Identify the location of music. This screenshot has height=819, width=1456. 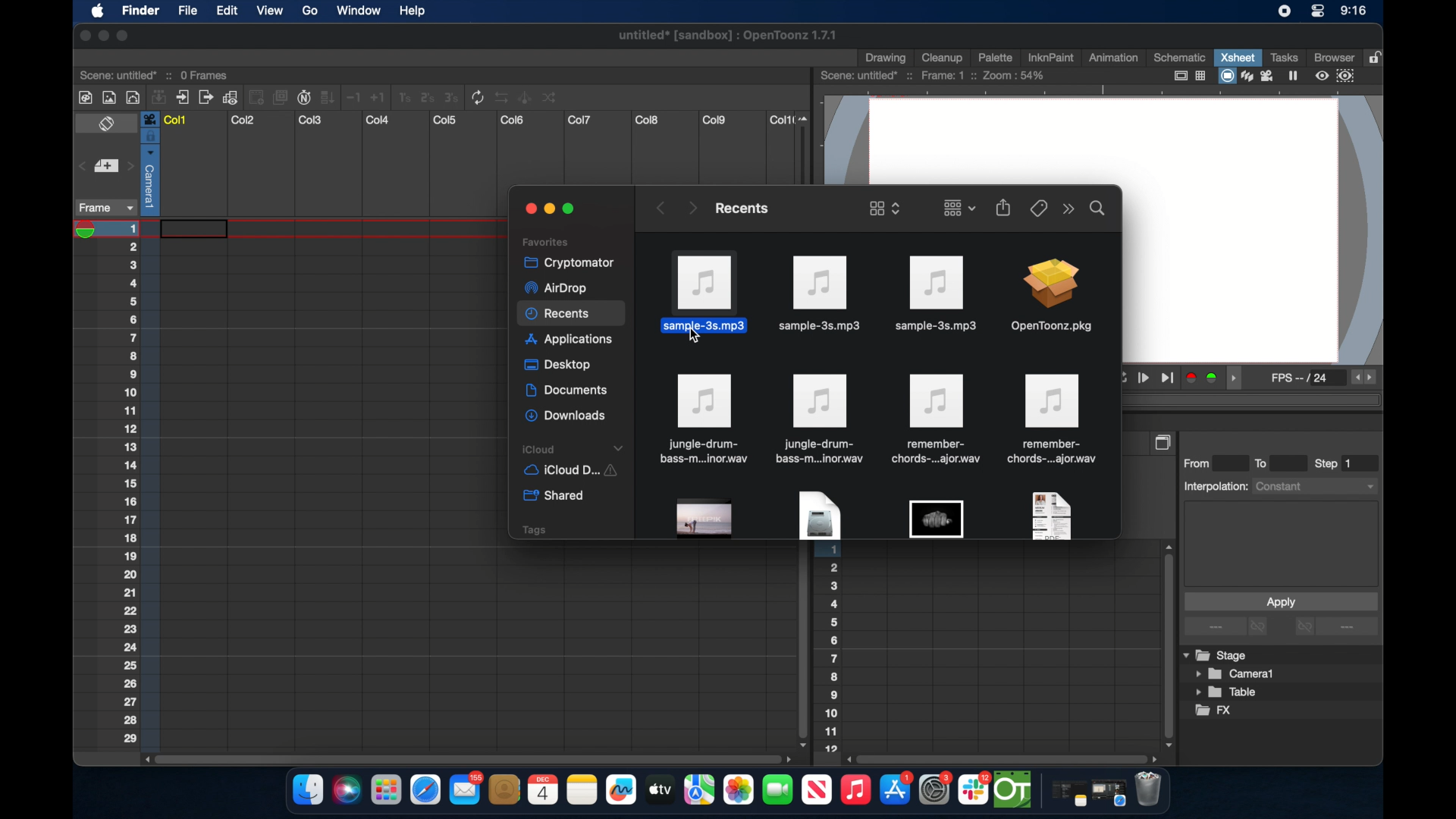
(855, 790).